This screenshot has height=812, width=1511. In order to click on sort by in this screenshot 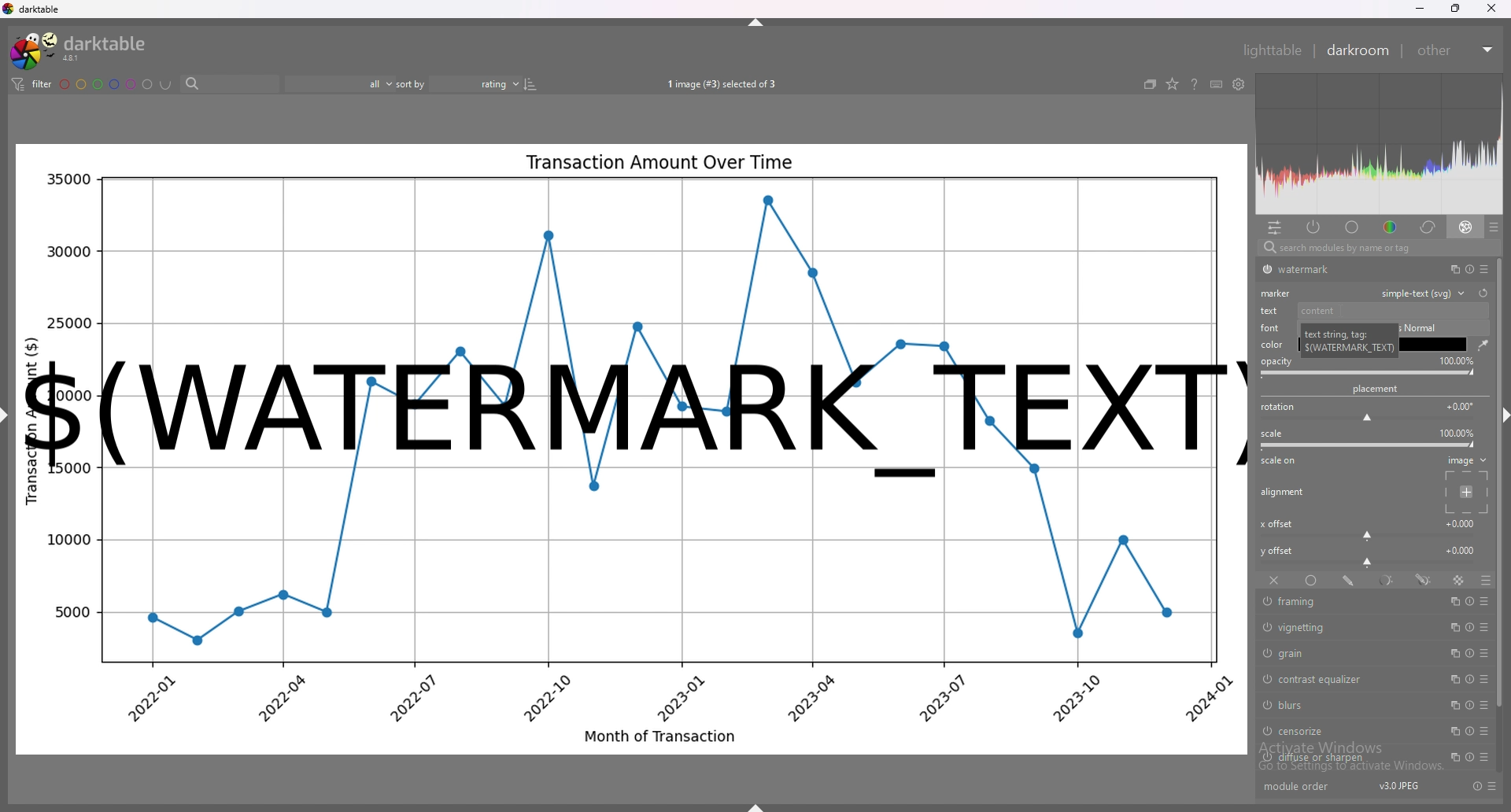, I will do `click(458, 82)`.